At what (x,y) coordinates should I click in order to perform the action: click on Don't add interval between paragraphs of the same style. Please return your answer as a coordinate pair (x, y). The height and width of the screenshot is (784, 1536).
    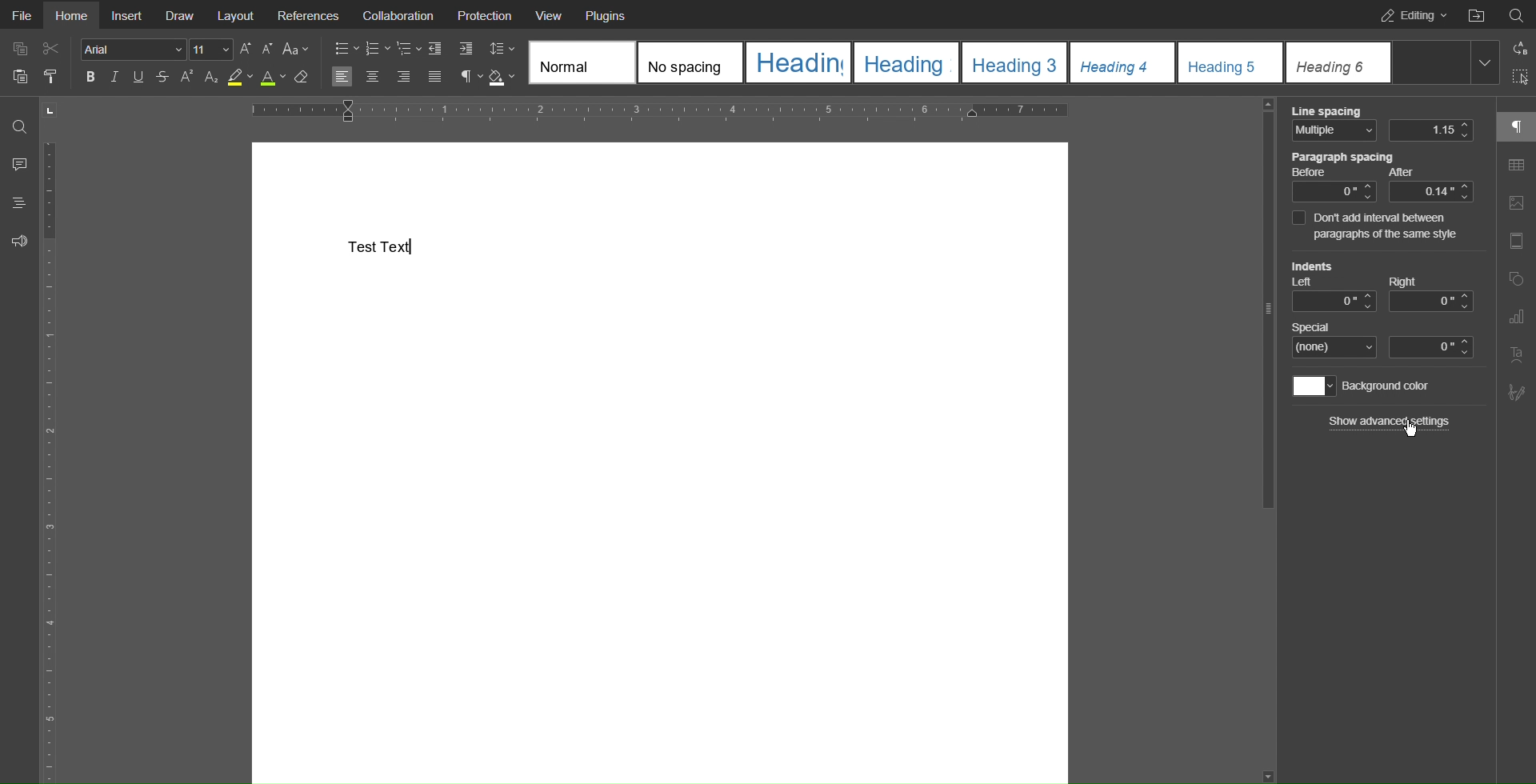
    Looking at the image, I should click on (1382, 226).